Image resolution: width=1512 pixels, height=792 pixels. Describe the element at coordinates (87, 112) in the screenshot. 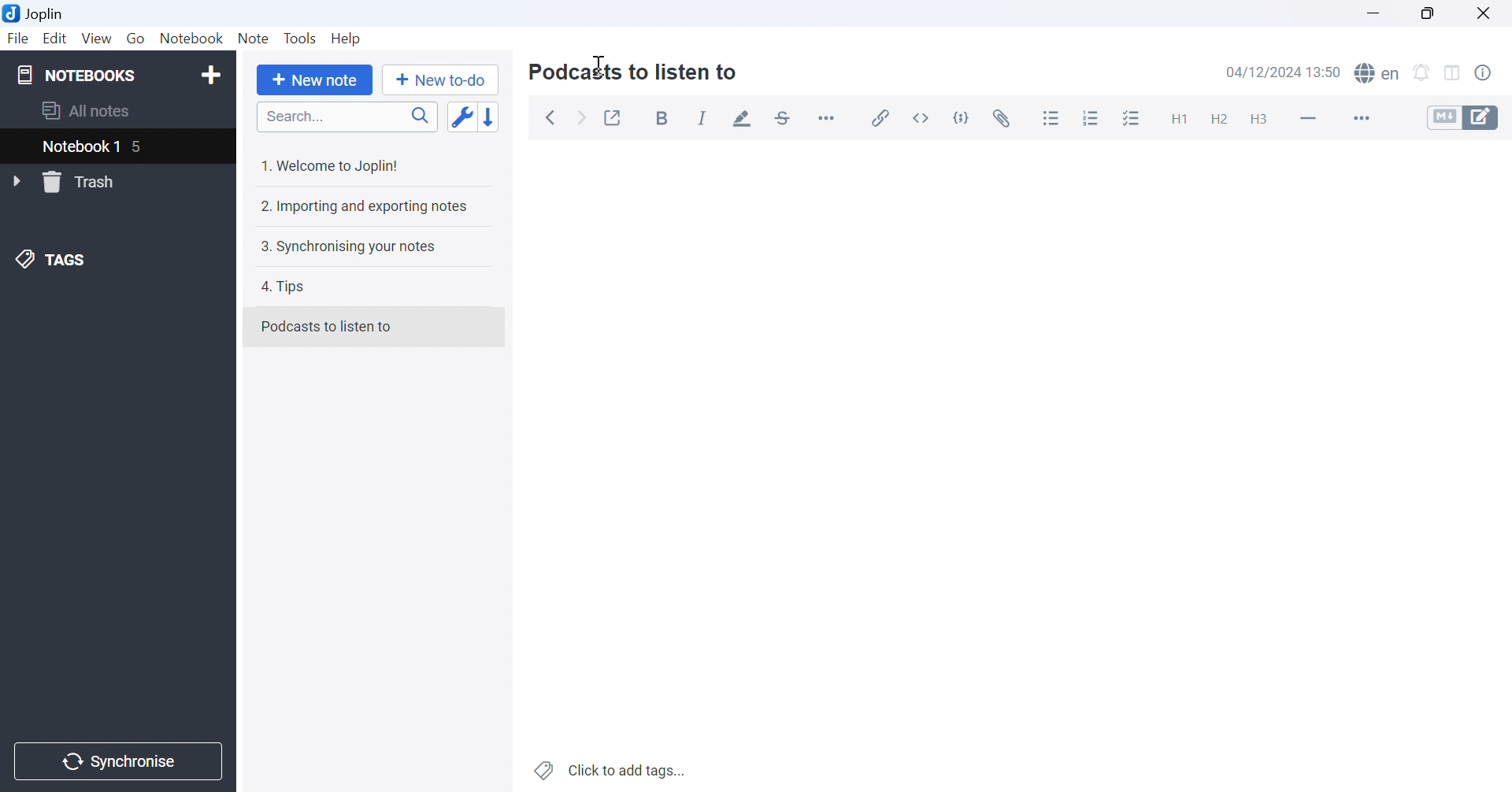

I see `All notes` at that location.